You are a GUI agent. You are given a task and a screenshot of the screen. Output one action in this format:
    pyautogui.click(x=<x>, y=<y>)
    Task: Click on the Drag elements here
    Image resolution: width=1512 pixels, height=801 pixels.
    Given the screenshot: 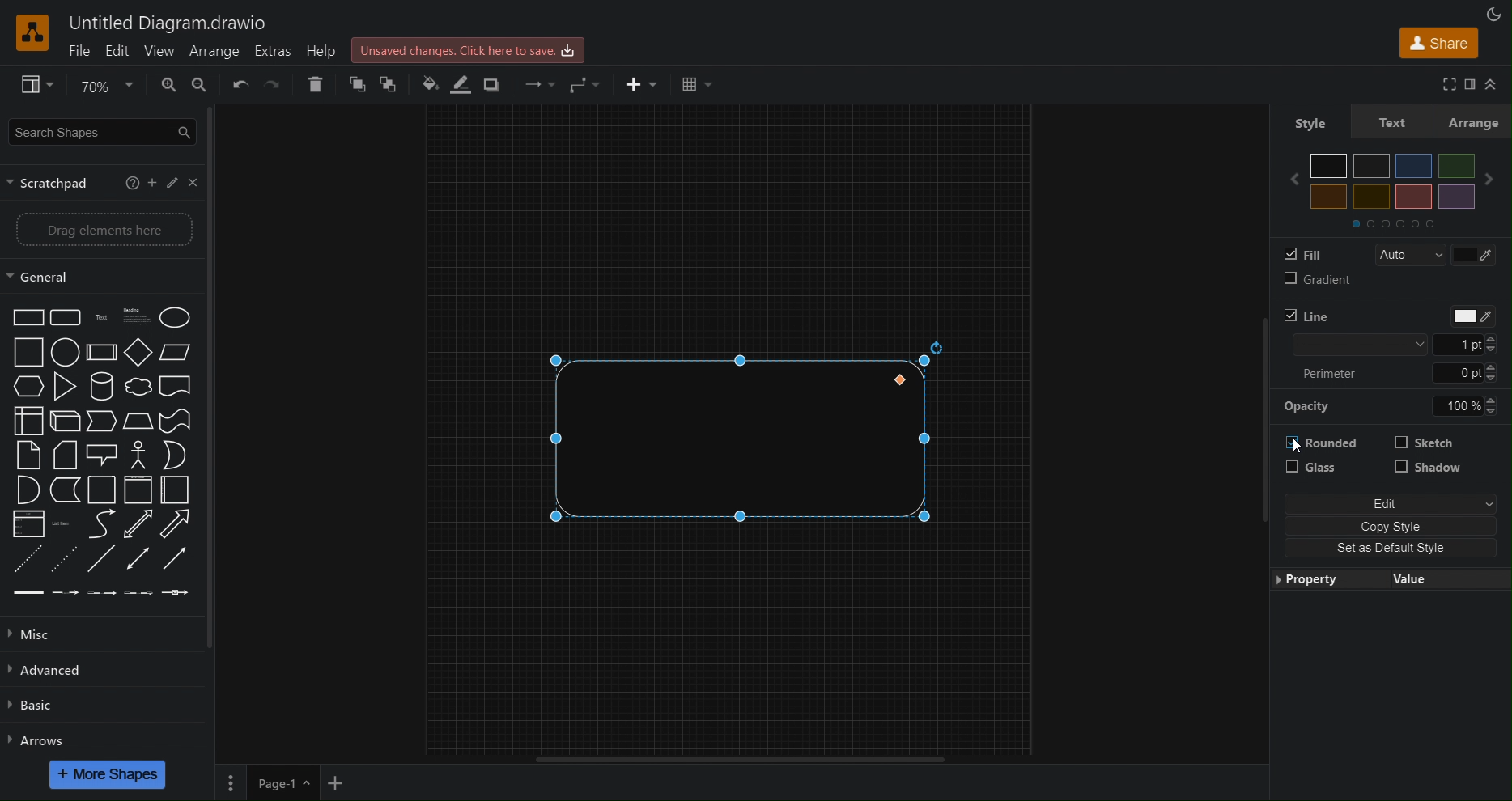 What is the action you would take?
    pyautogui.click(x=103, y=231)
    